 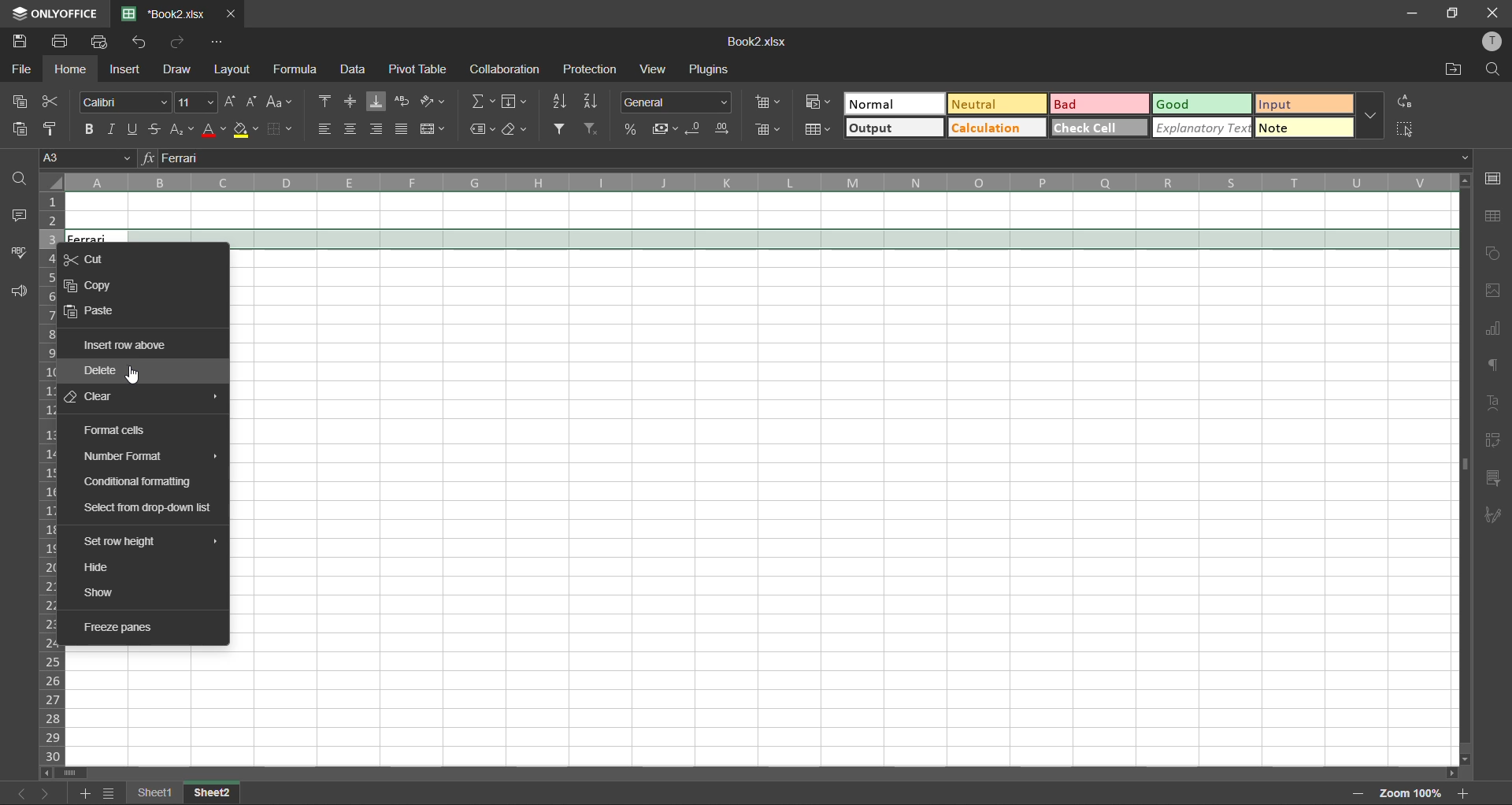 I want to click on copy, so click(x=17, y=101).